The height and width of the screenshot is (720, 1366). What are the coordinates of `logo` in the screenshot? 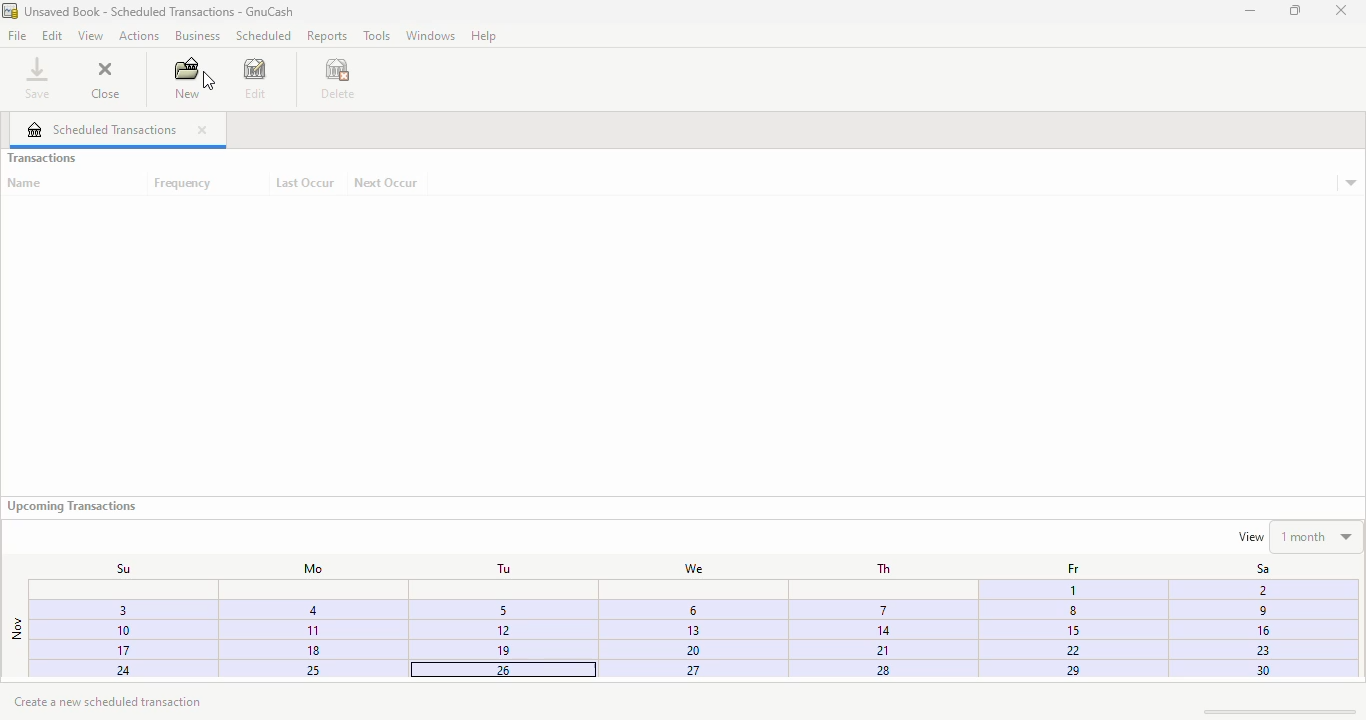 It's located at (10, 10).